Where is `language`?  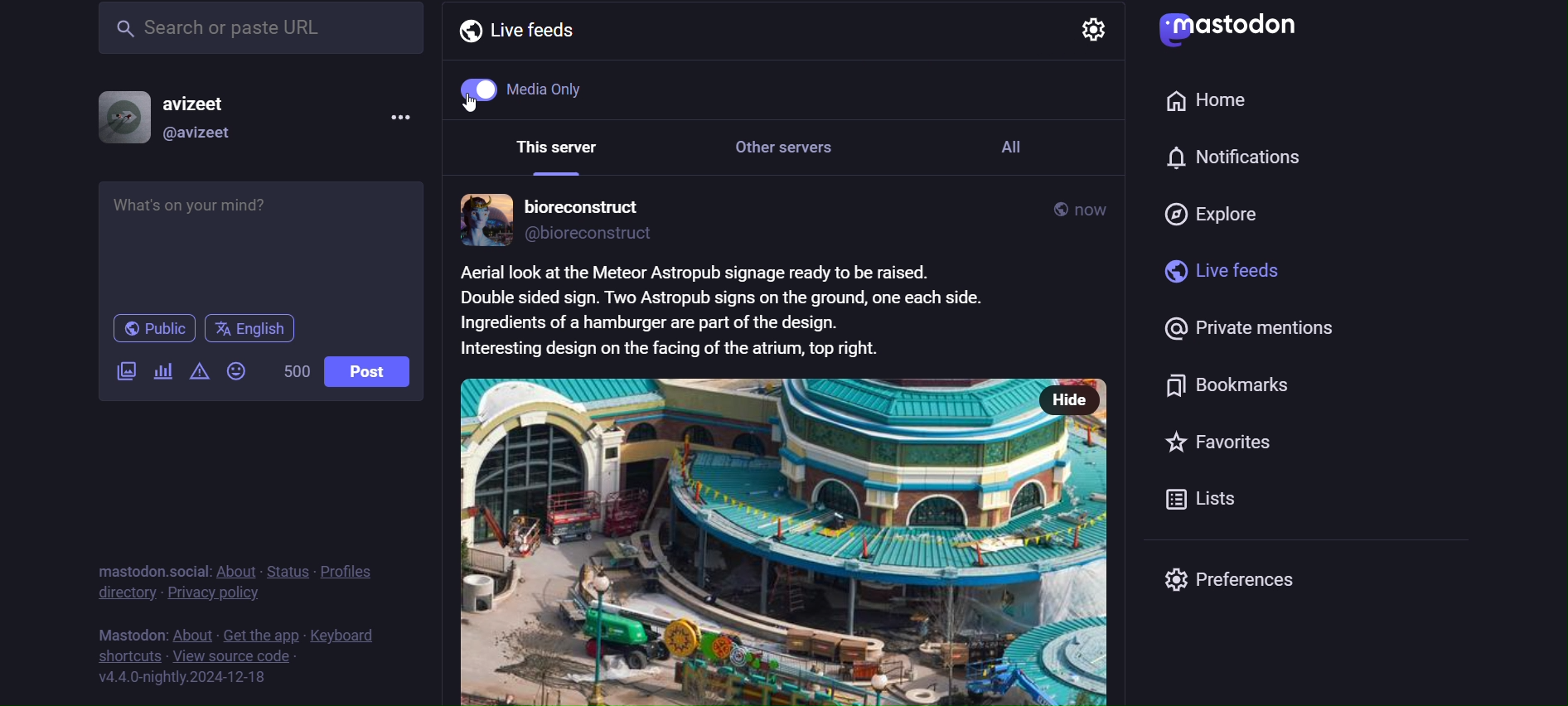
language is located at coordinates (251, 330).